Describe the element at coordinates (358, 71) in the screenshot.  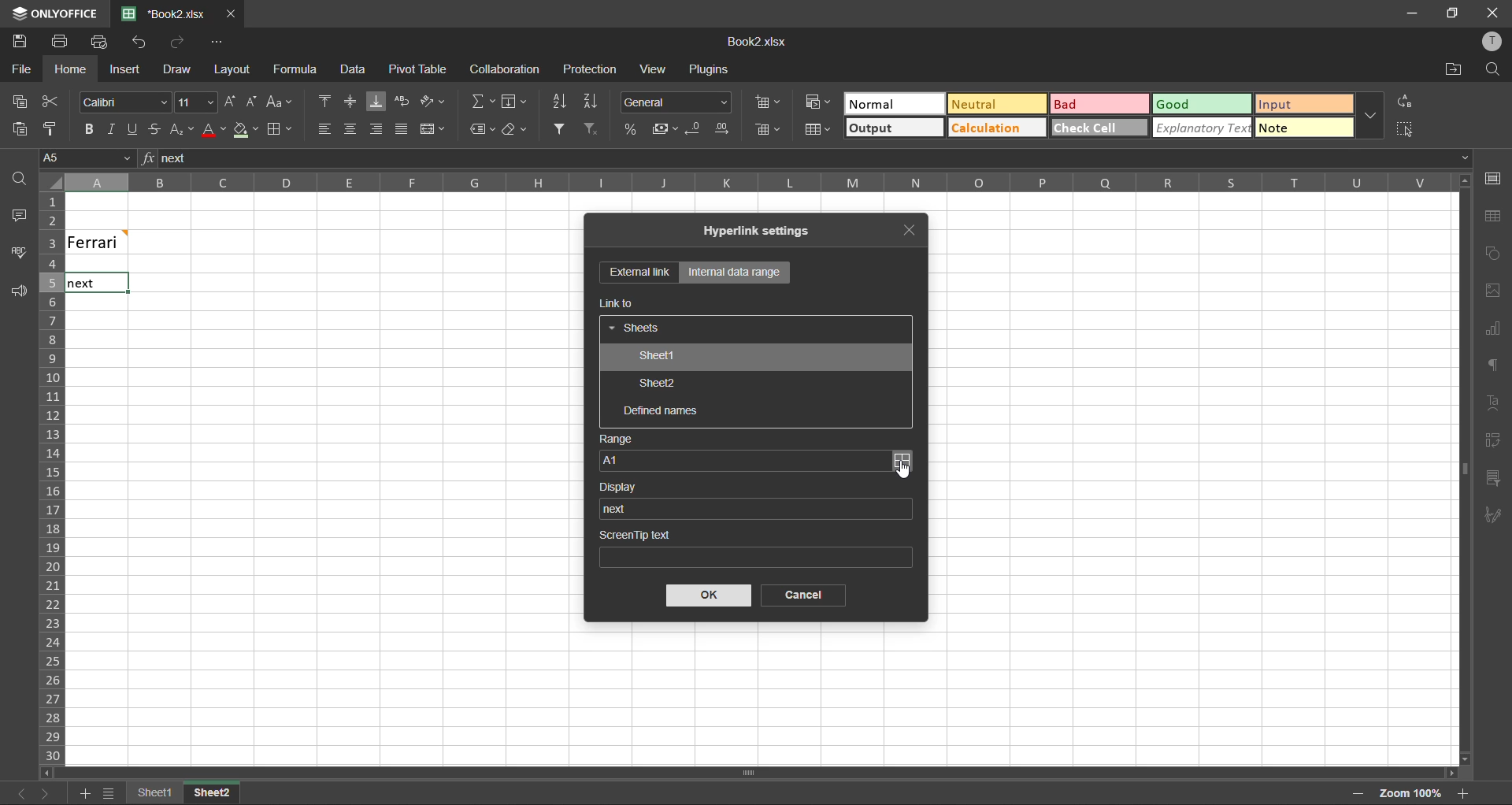
I see `data` at that location.